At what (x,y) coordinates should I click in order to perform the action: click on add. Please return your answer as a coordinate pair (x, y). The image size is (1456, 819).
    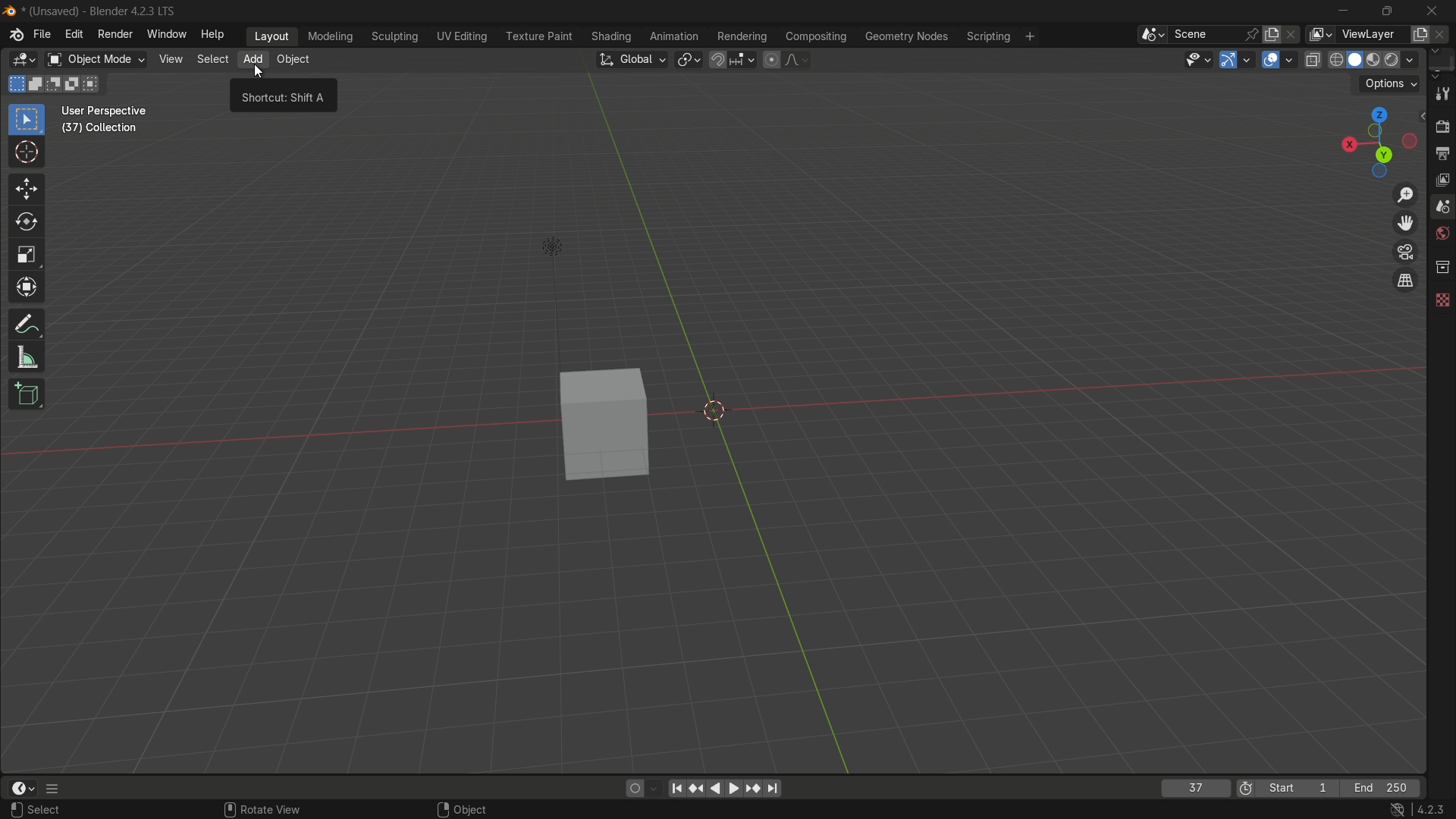
    Looking at the image, I should click on (252, 60).